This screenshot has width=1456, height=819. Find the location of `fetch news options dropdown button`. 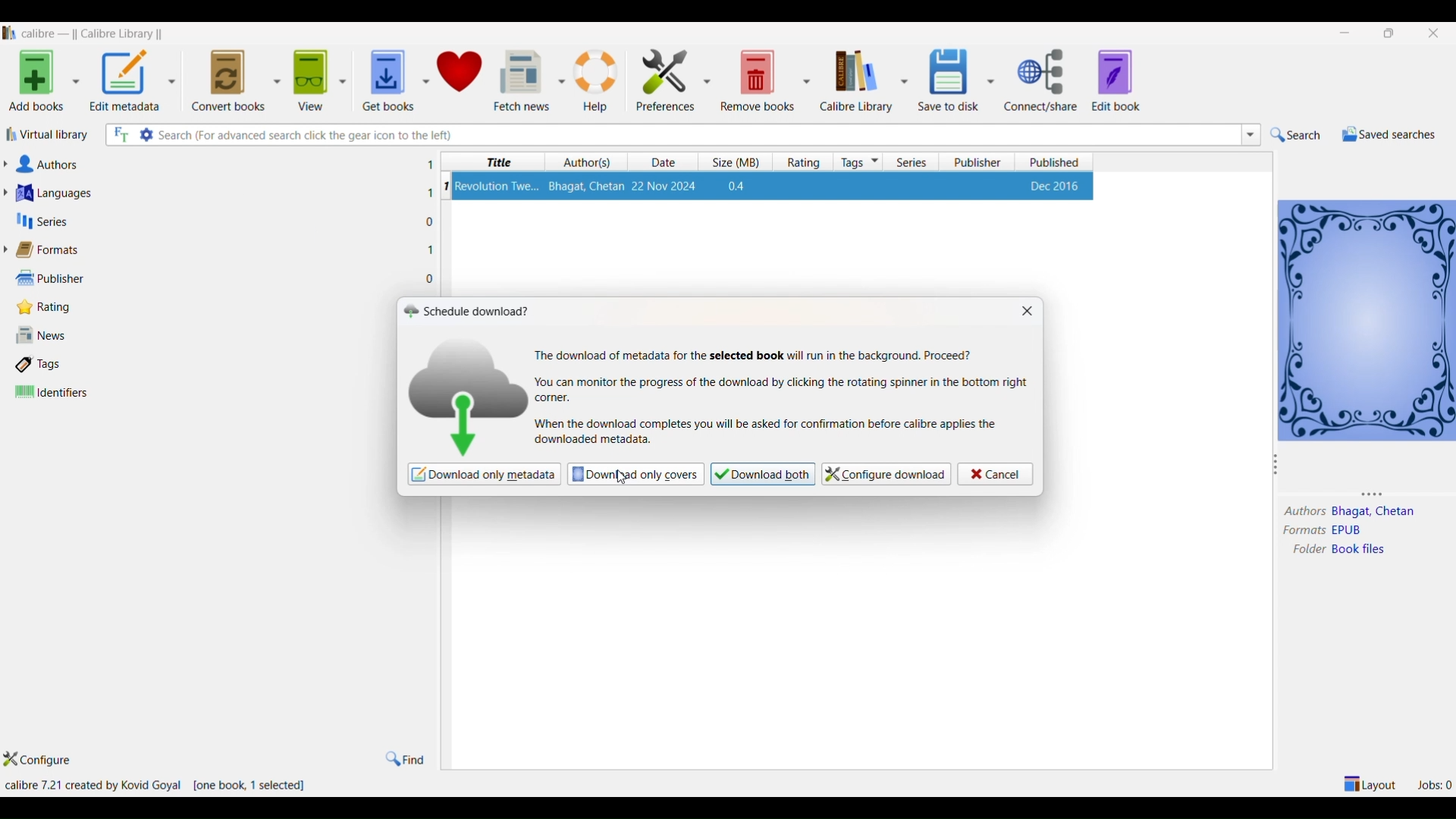

fetch news options dropdown button is located at coordinates (561, 80).